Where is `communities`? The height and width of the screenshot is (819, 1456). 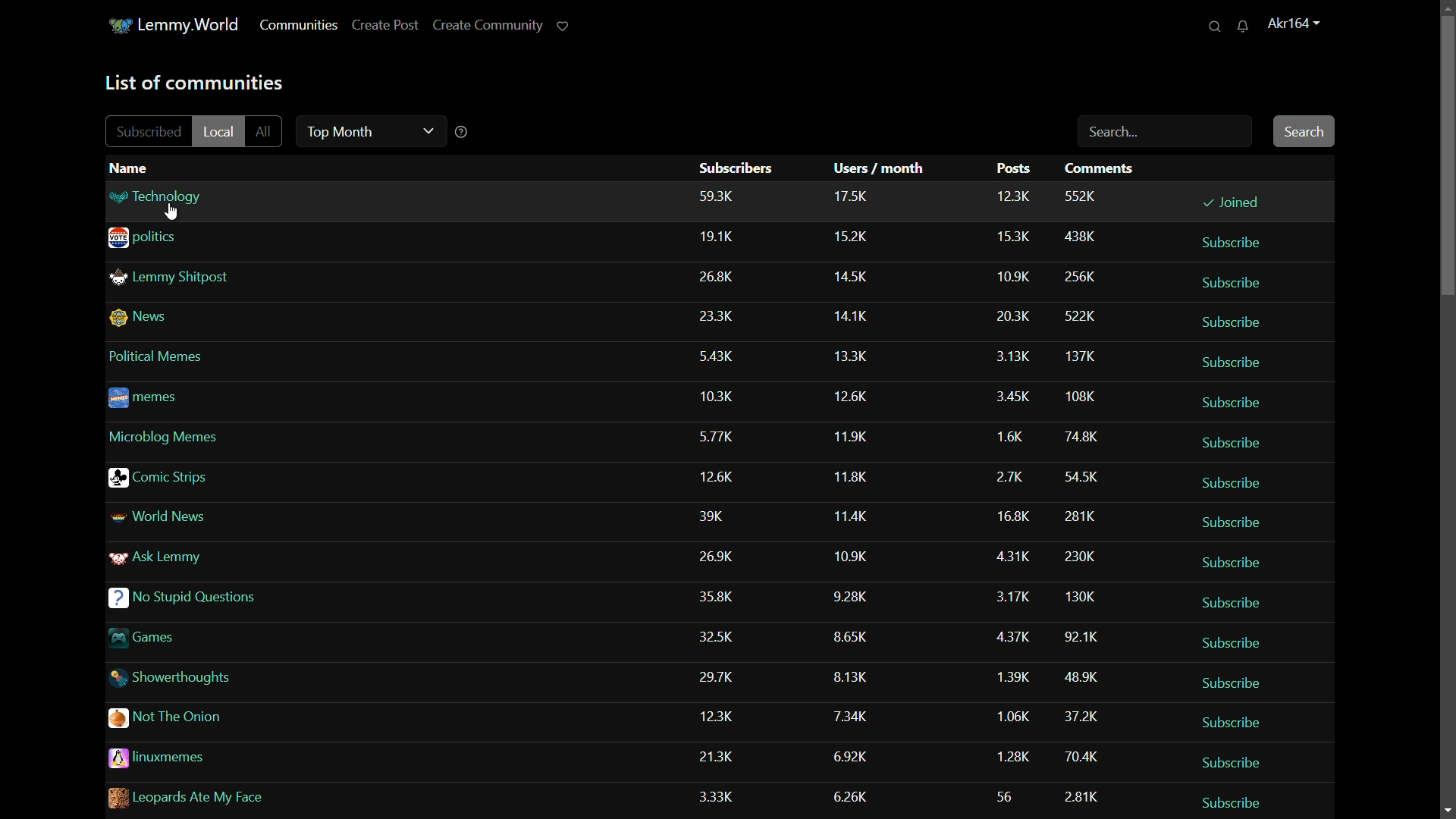
communities is located at coordinates (299, 27).